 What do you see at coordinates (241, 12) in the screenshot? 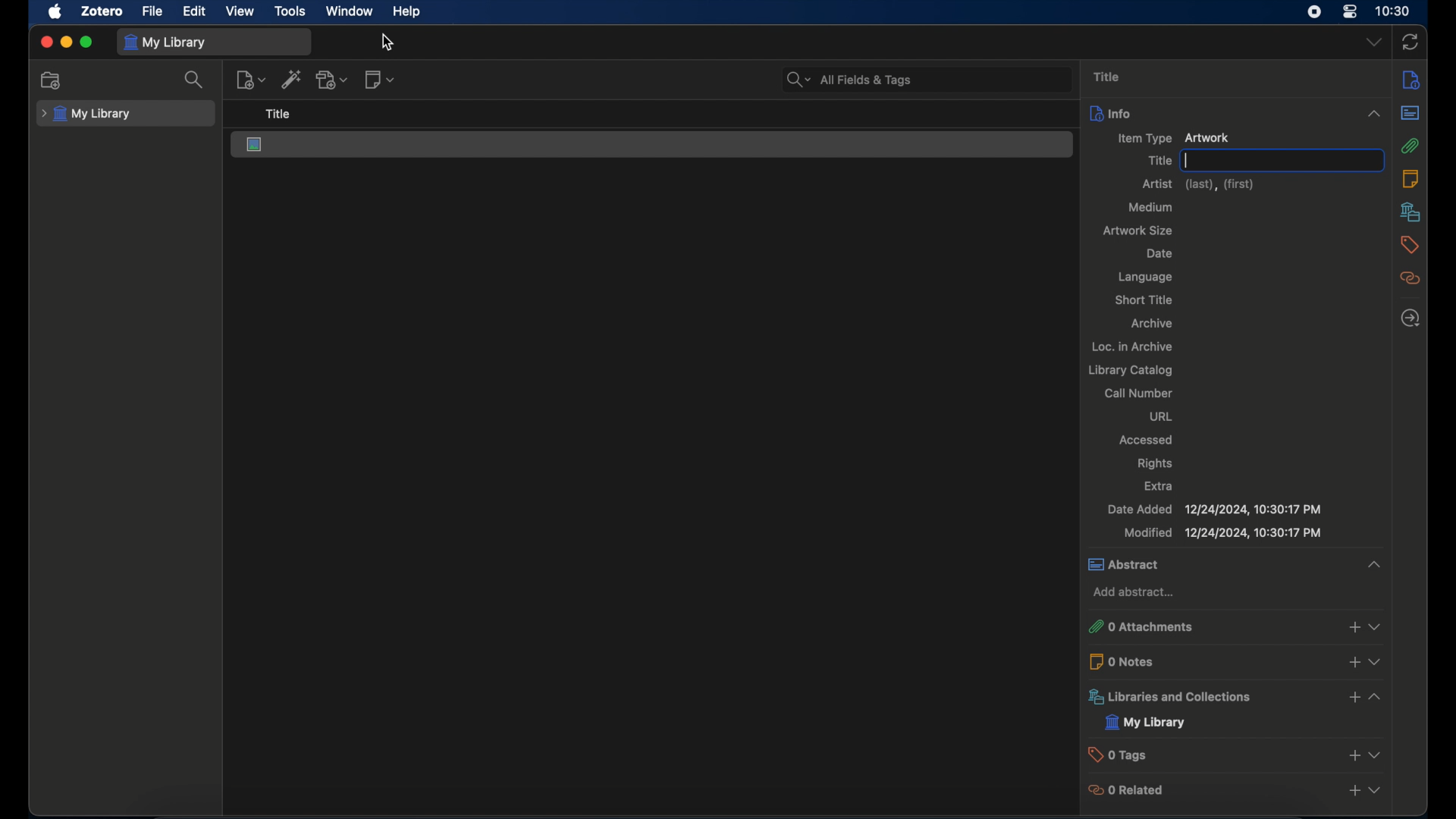
I see `view` at bounding box center [241, 12].